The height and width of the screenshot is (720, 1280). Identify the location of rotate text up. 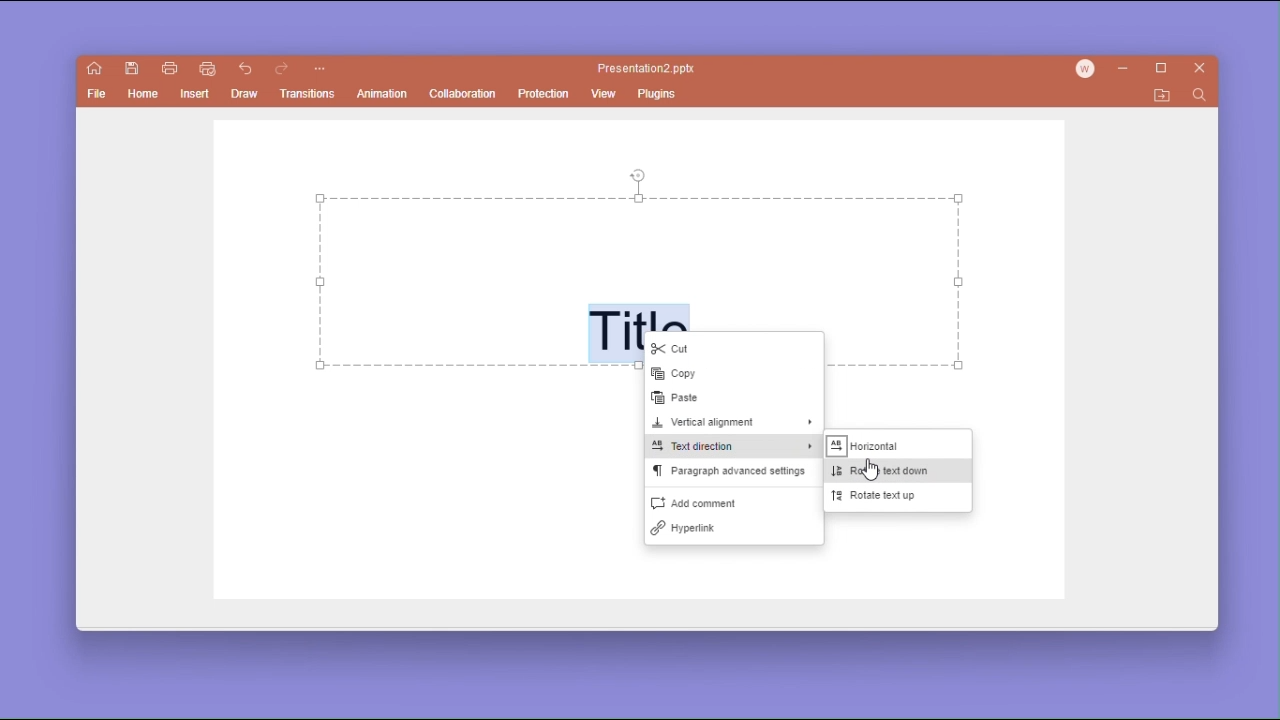
(891, 498).